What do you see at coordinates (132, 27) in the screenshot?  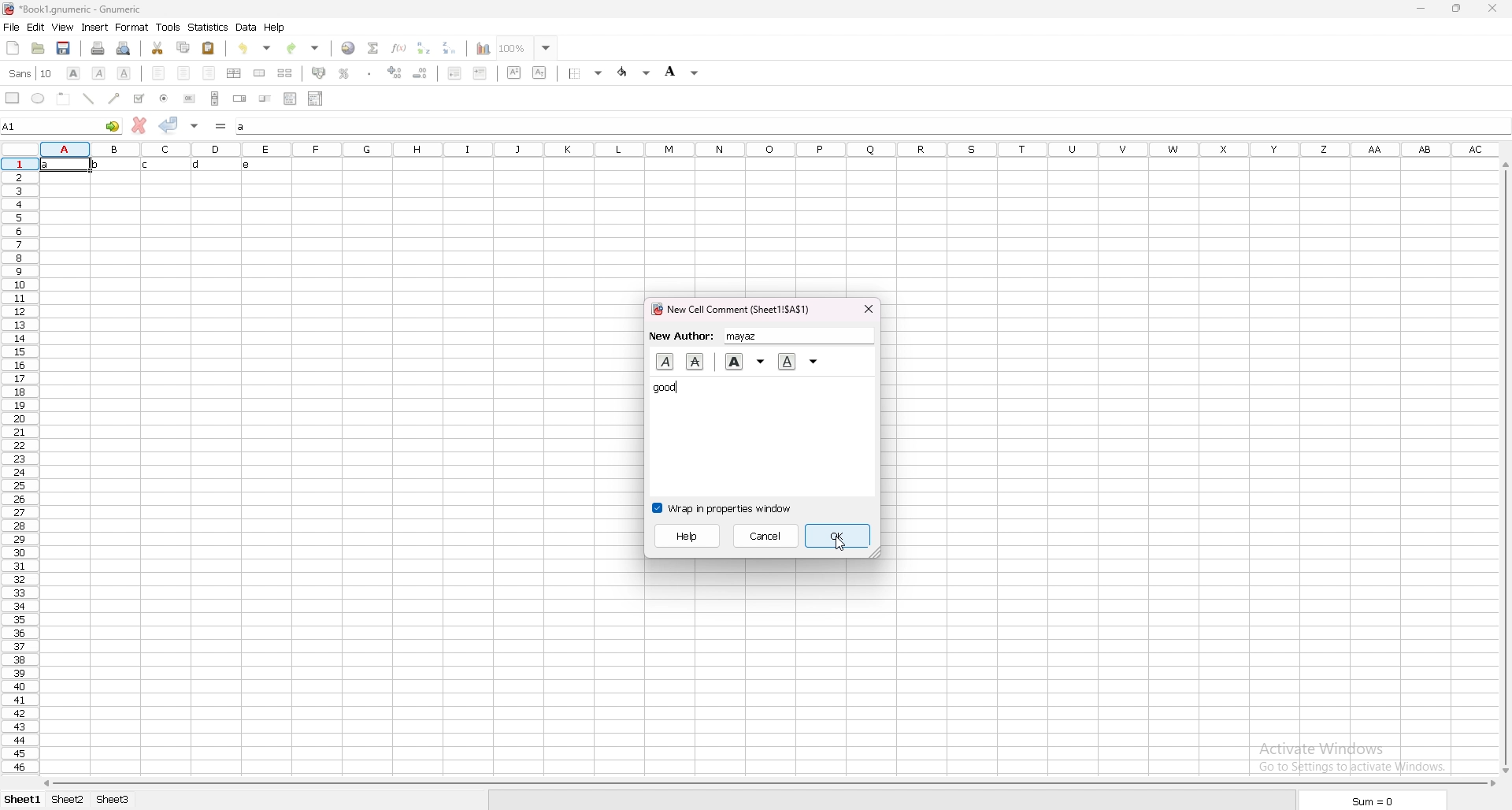 I see `format` at bounding box center [132, 27].